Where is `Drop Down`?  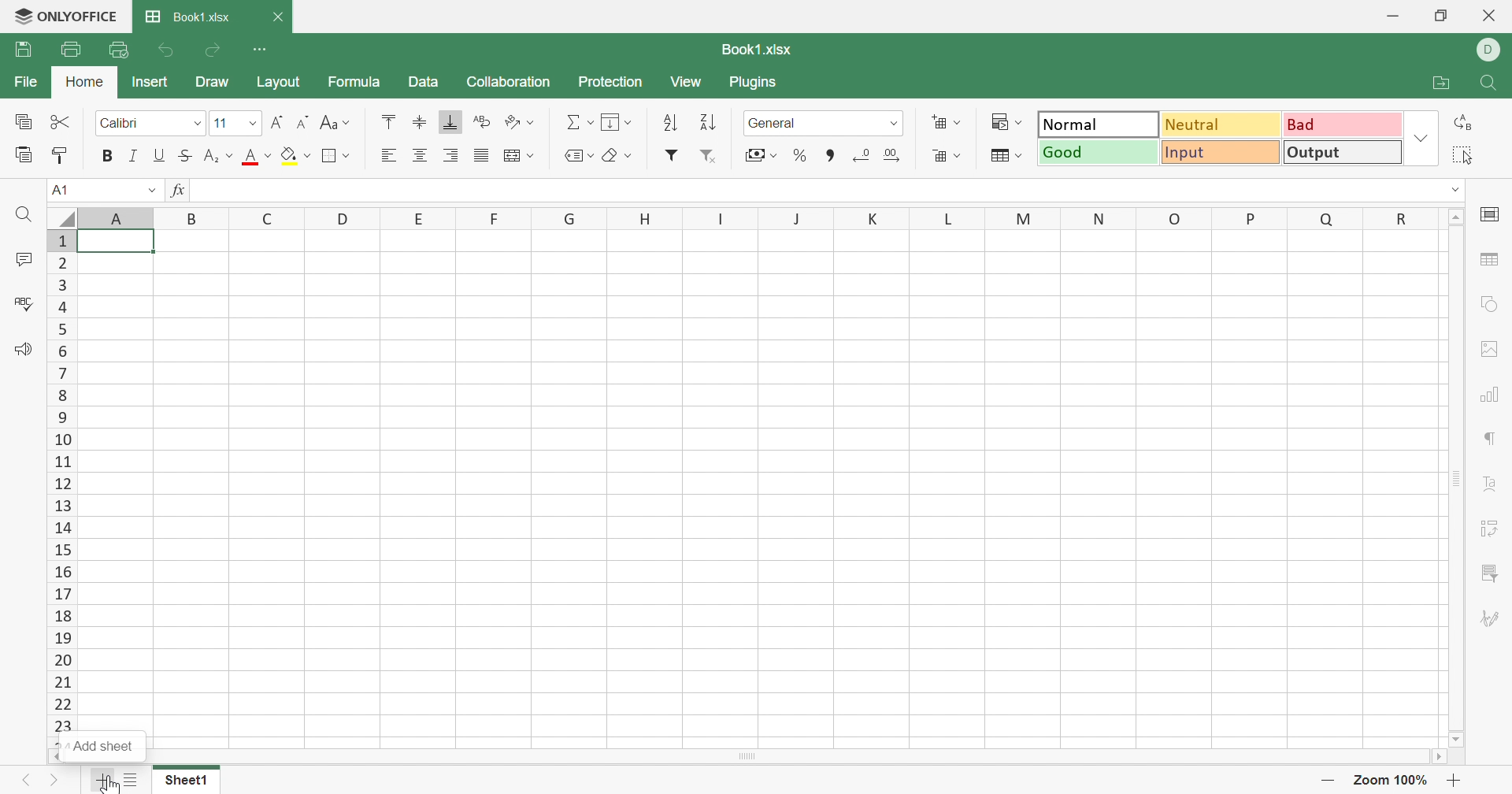
Drop Down is located at coordinates (894, 124).